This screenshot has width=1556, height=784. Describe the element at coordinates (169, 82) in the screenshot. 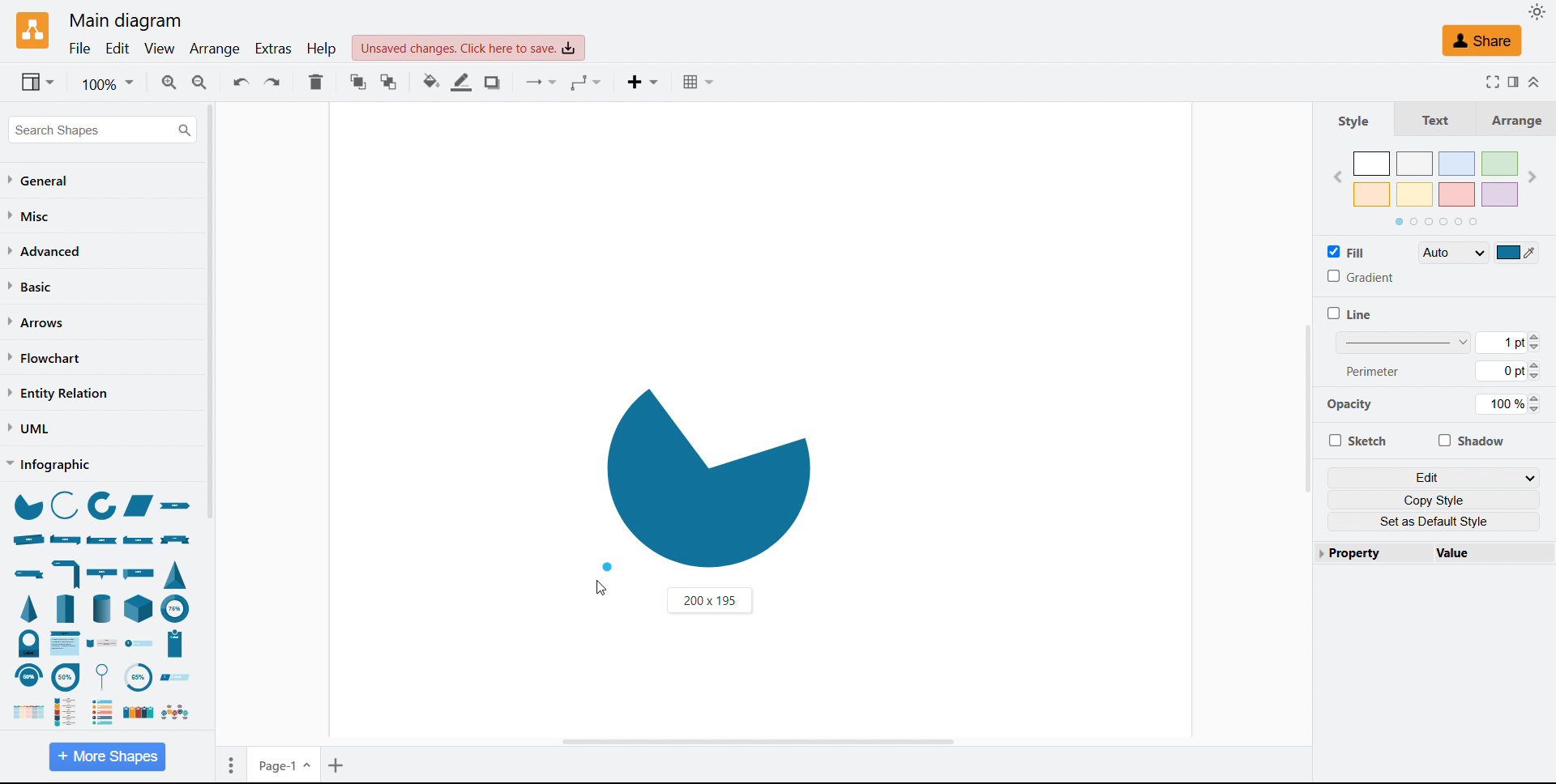

I see `Zoom in ` at that location.